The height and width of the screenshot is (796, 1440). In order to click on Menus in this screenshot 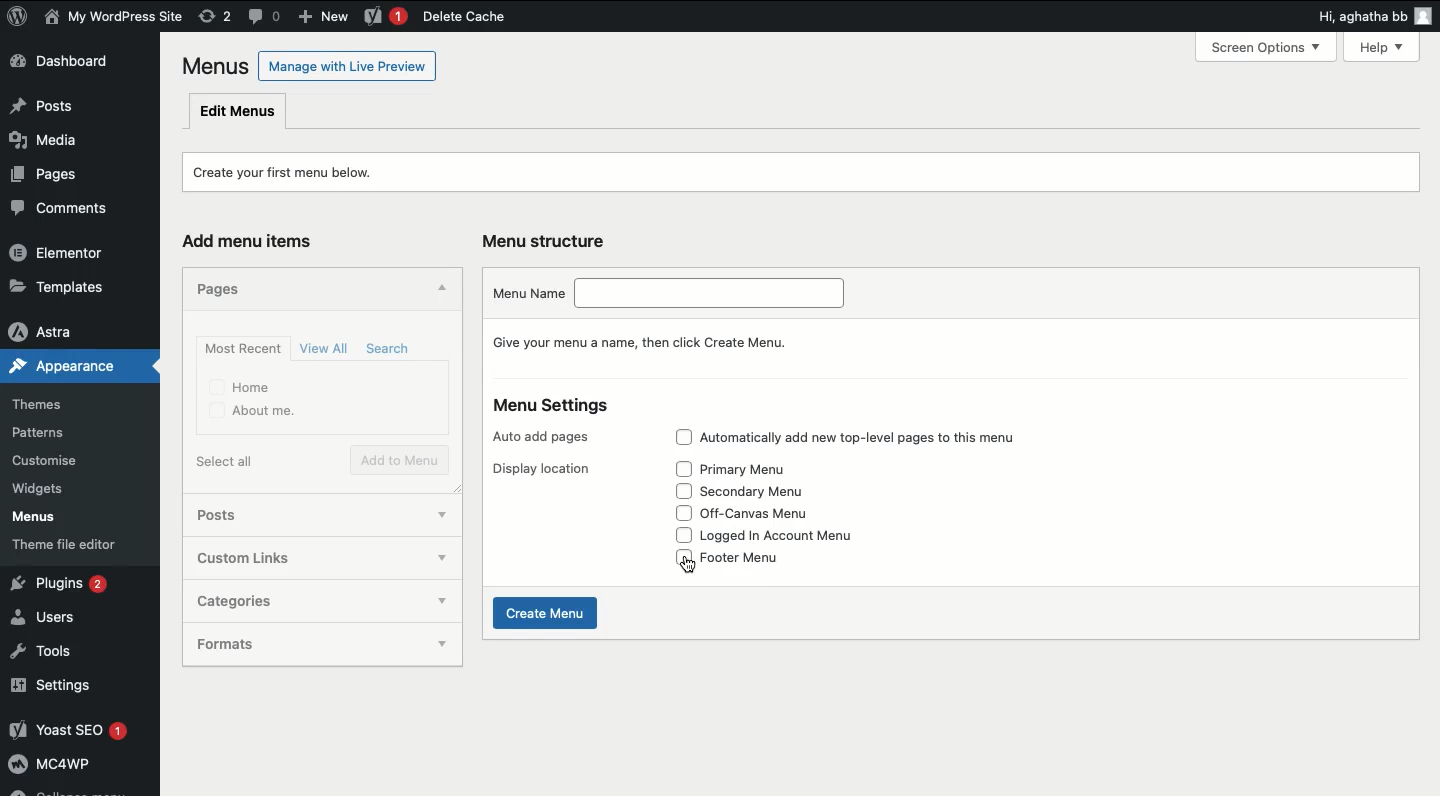, I will do `click(212, 66)`.